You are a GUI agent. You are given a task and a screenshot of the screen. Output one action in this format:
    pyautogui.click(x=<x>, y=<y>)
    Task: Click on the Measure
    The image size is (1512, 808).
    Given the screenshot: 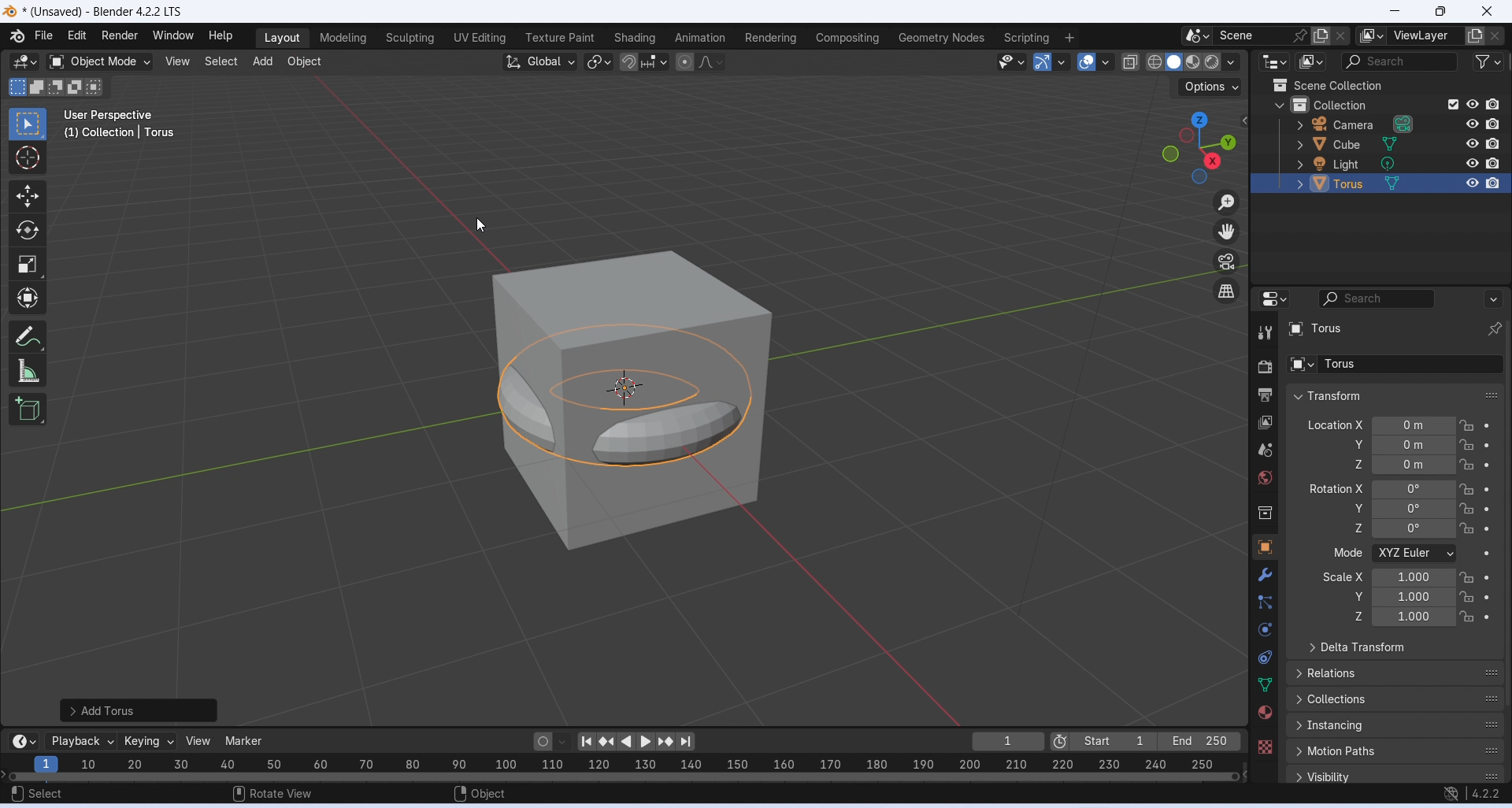 What is the action you would take?
    pyautogui.click(x=29, y=372)
    